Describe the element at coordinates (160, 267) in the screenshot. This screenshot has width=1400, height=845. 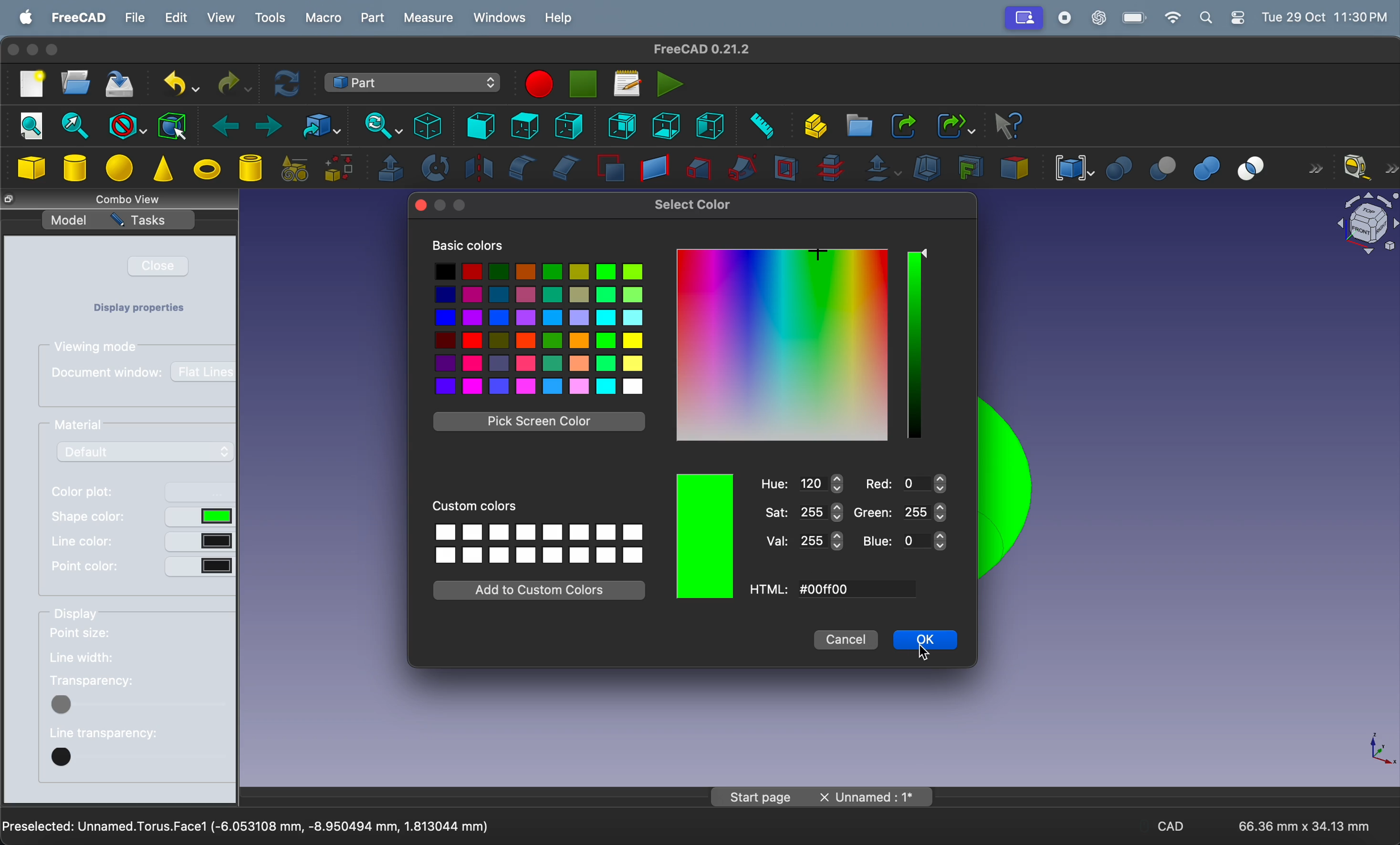
I see `close` at that location.